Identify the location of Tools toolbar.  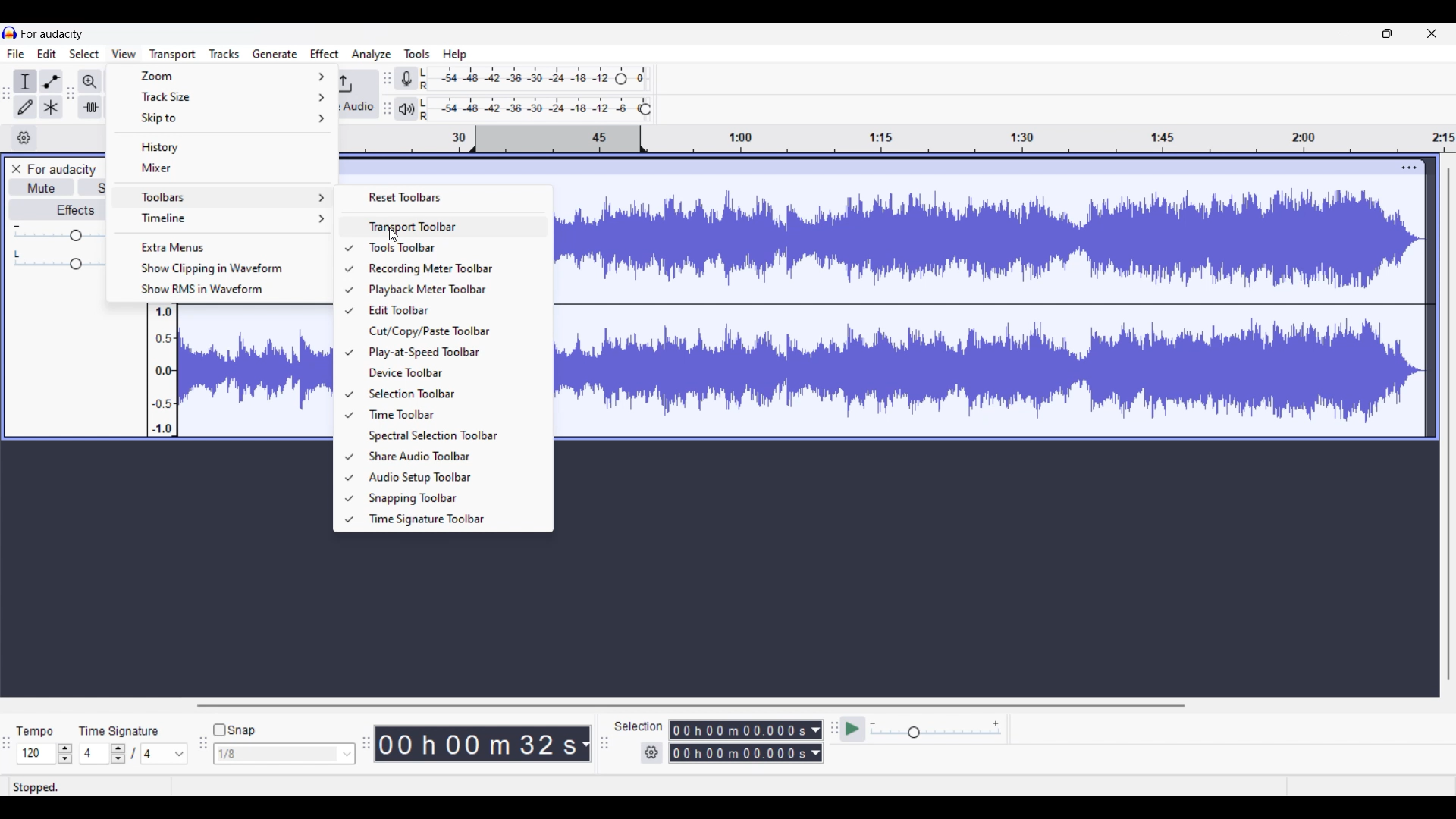
(451, 248).